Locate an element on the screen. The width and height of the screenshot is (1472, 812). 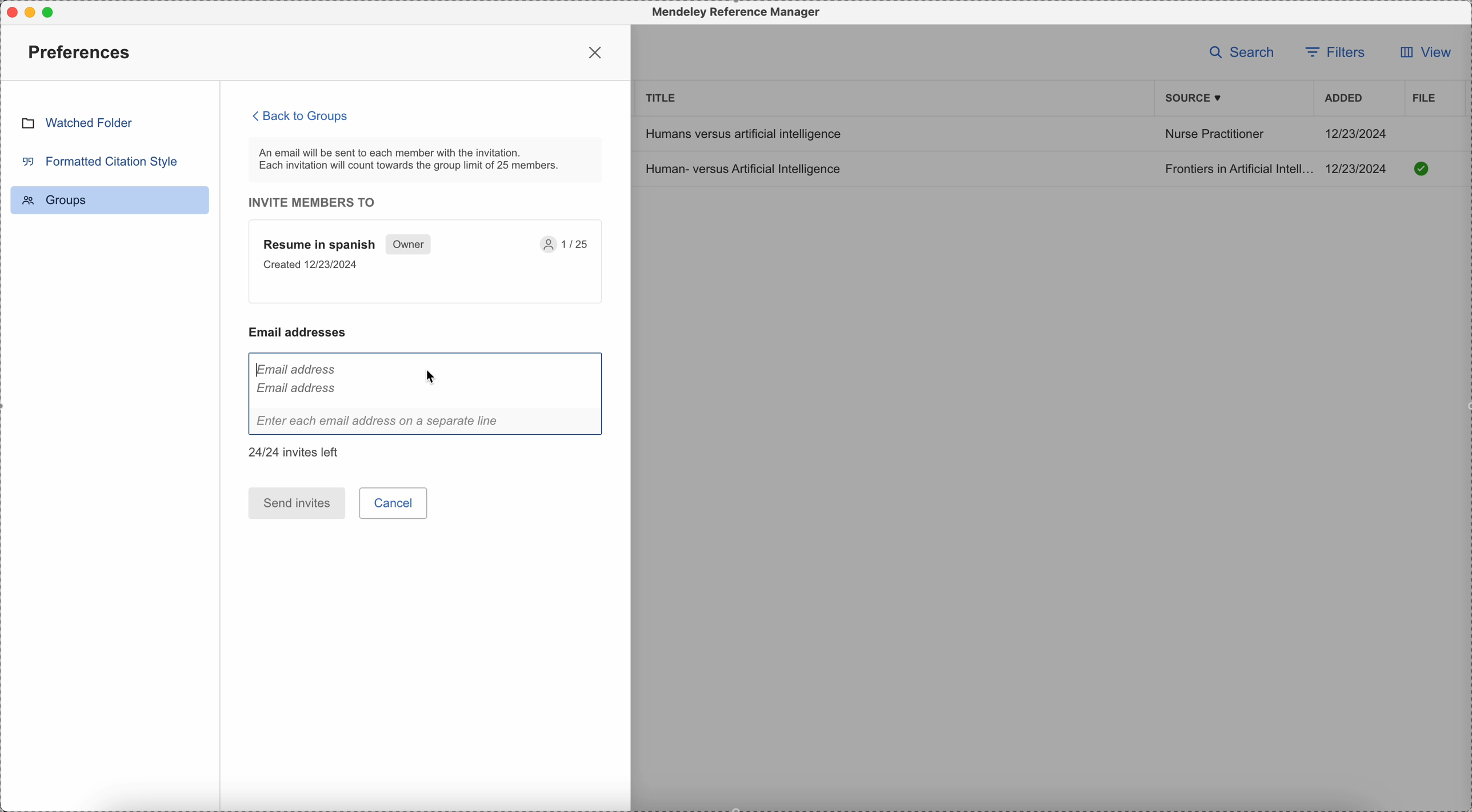
watched folder is located at coordinates (77, 122).